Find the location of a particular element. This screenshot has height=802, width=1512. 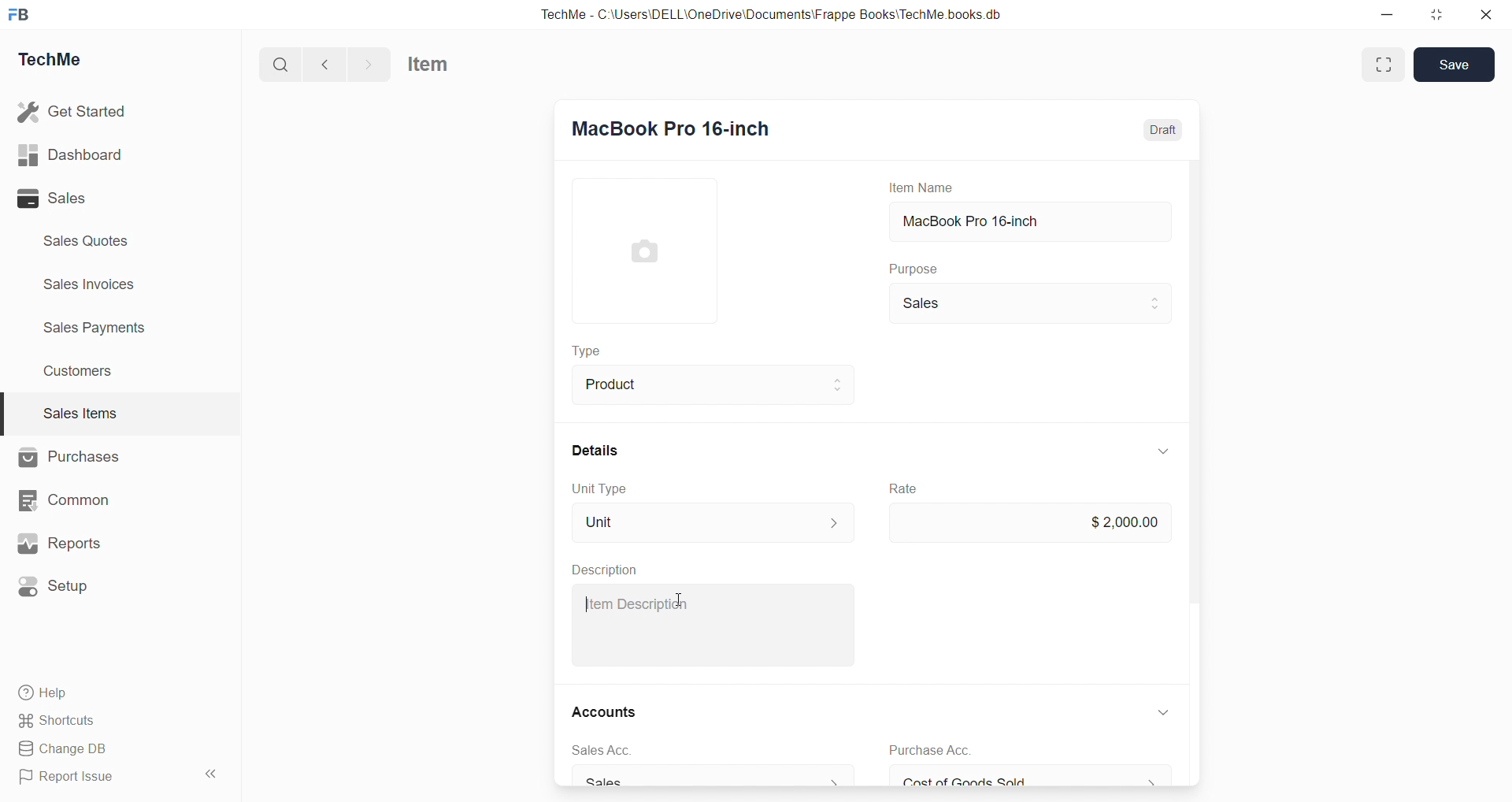

Product is located at coordinates (712, 385).